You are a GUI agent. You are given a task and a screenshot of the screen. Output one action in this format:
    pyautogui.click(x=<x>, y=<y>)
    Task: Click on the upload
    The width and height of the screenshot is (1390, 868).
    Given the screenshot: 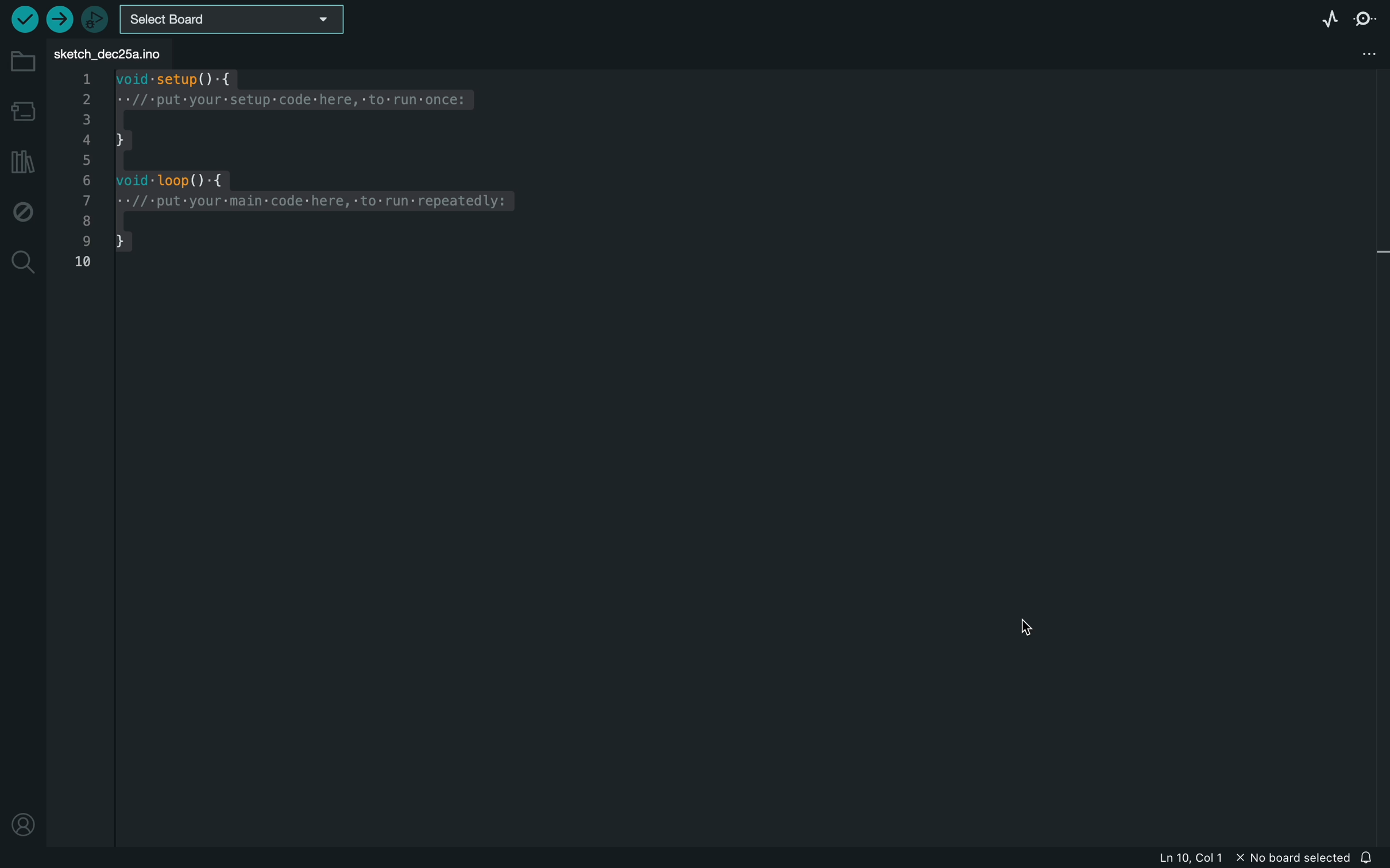 What is the action you would take?
    pyautogui.click(x=57, y=18)
    